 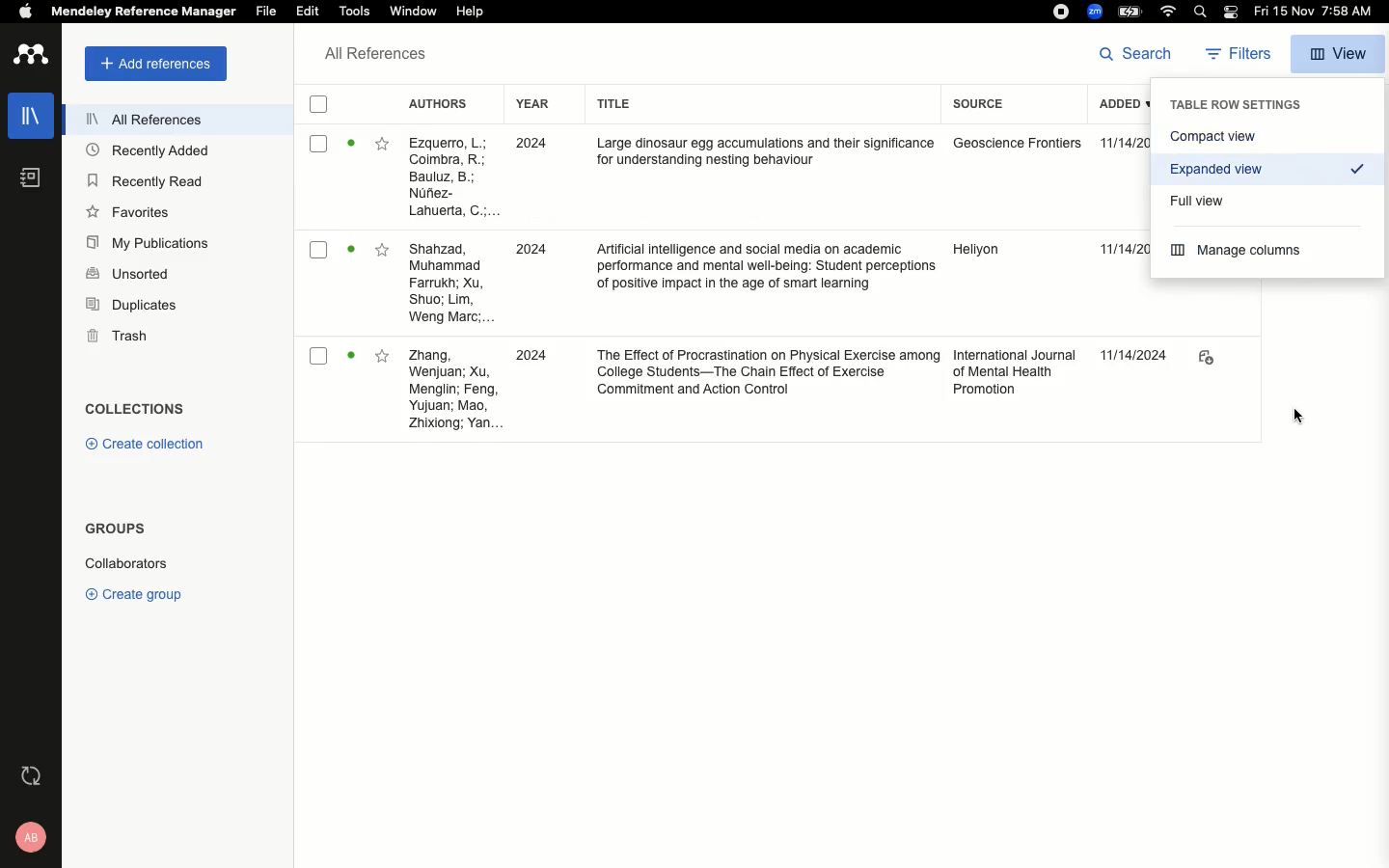 I want to click on Library, so click(x=26, y=122).